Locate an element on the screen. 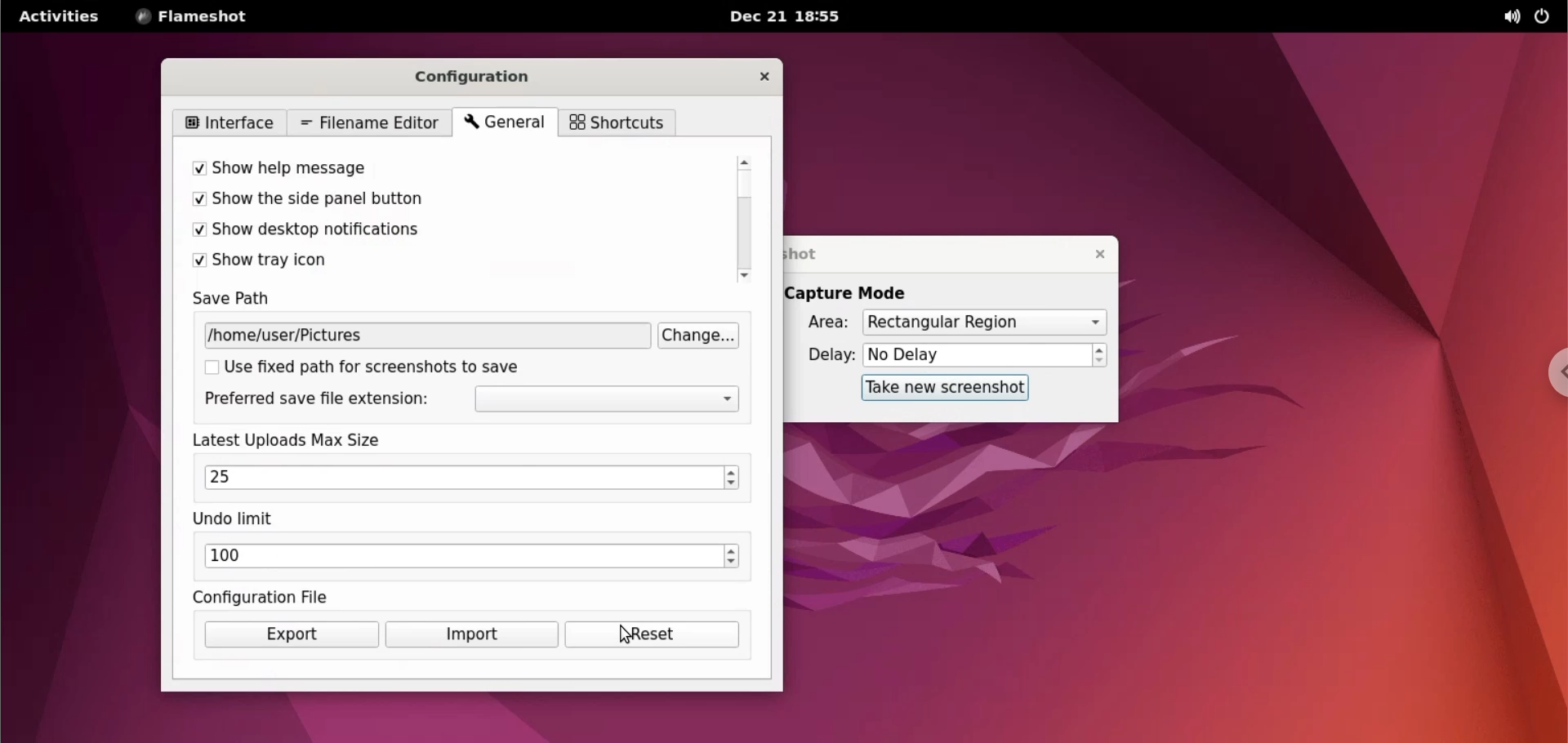 Image resolution: width=1568 pixels, height=743 pixels. change  is located at coordinates (697, 337).